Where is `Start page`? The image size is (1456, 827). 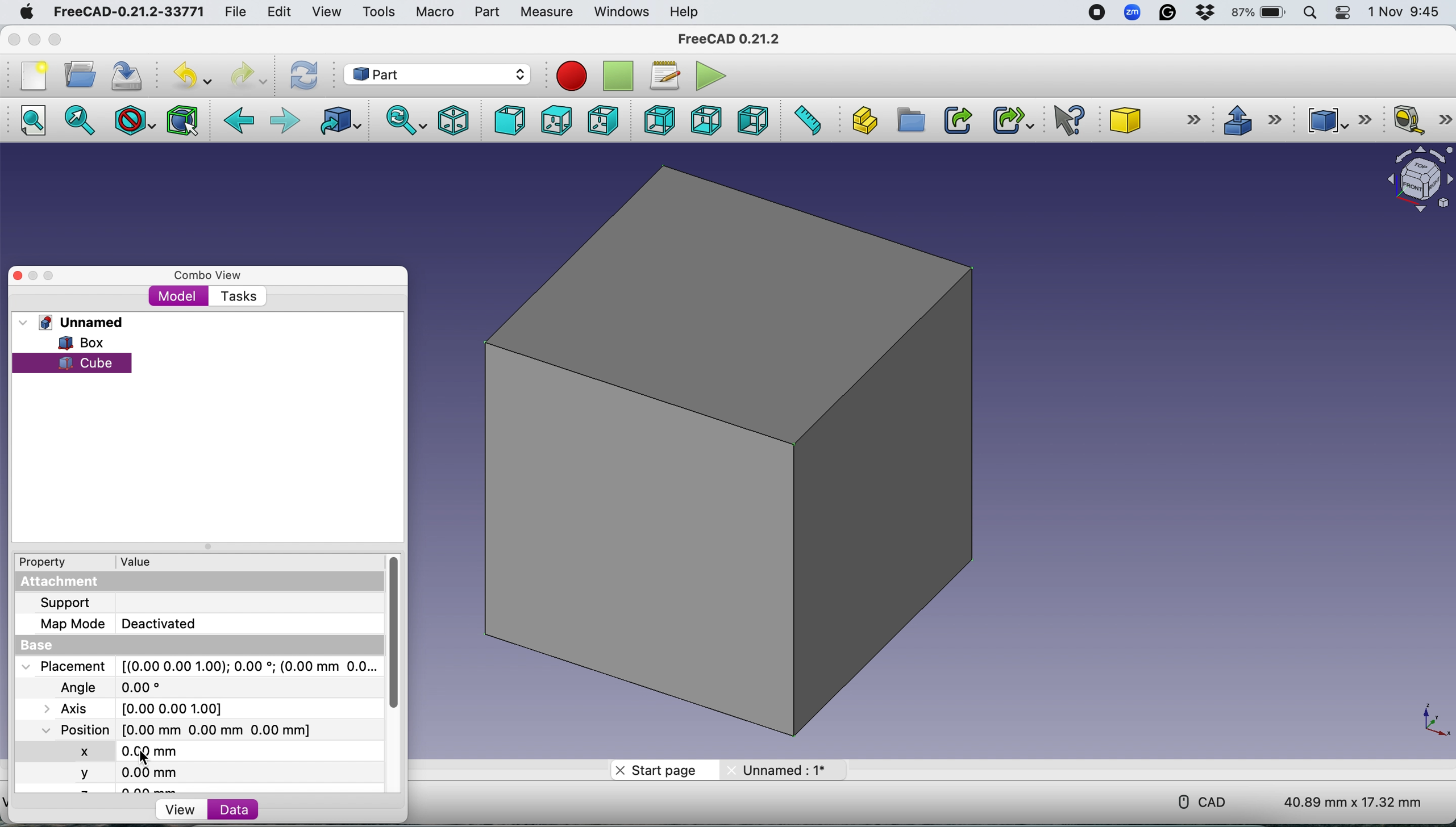
Start page is located at coordinates (661, 771).